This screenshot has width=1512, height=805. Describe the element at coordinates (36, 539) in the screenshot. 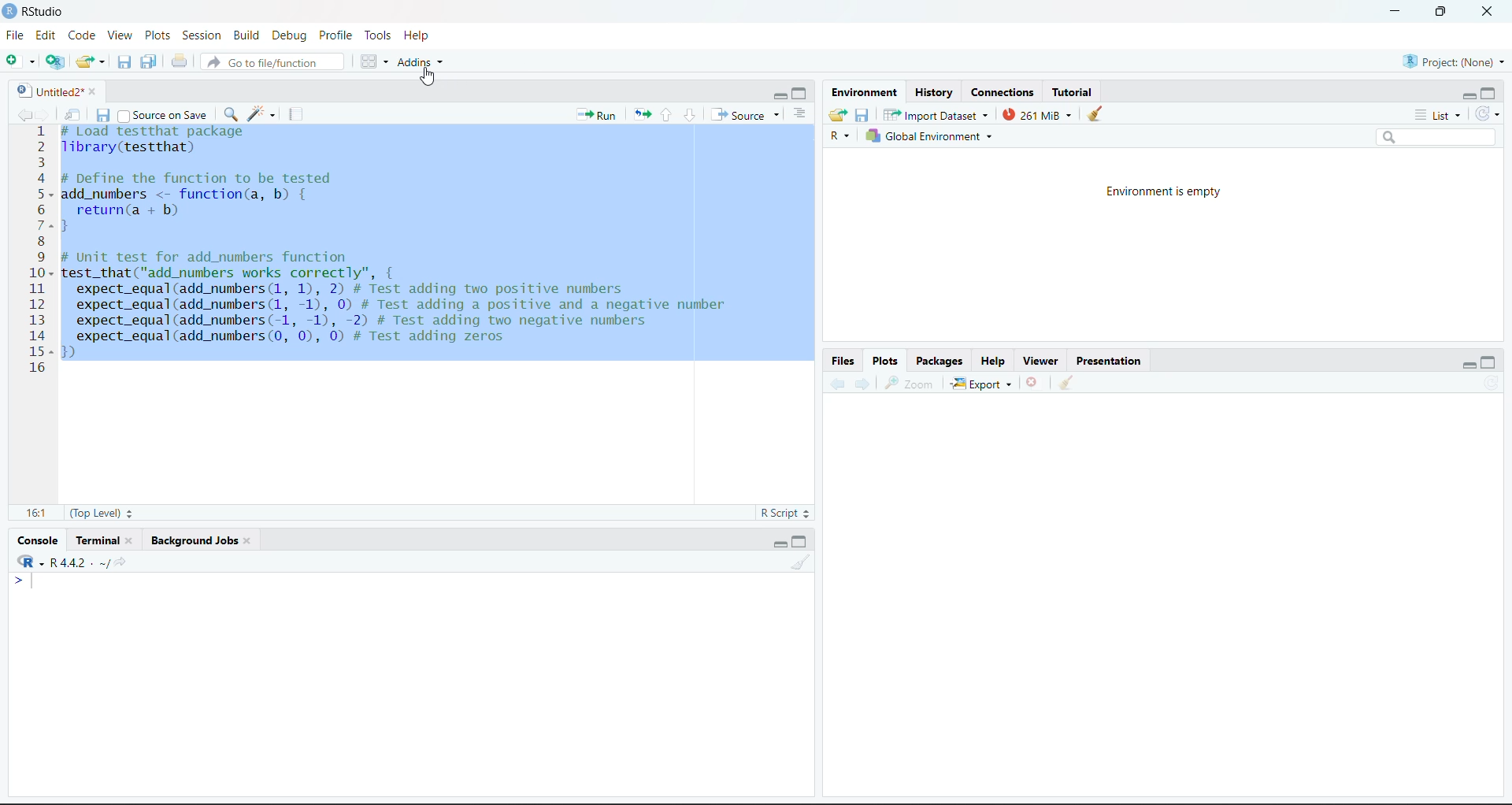

I see `Console` at that location.